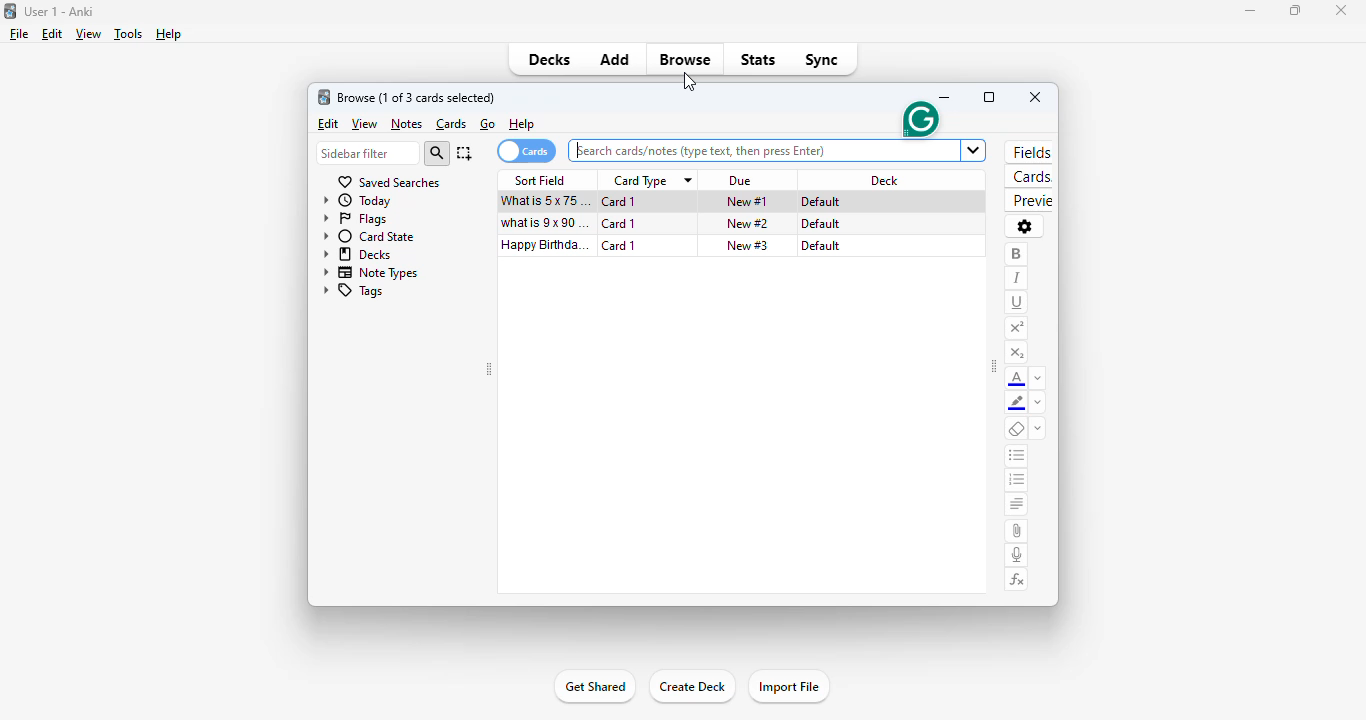 This screenshot has width=1366, height=720. What do you see at coordinates (52, 34) in the screenshot?
I see `edit` at bounding box center [52, 34].